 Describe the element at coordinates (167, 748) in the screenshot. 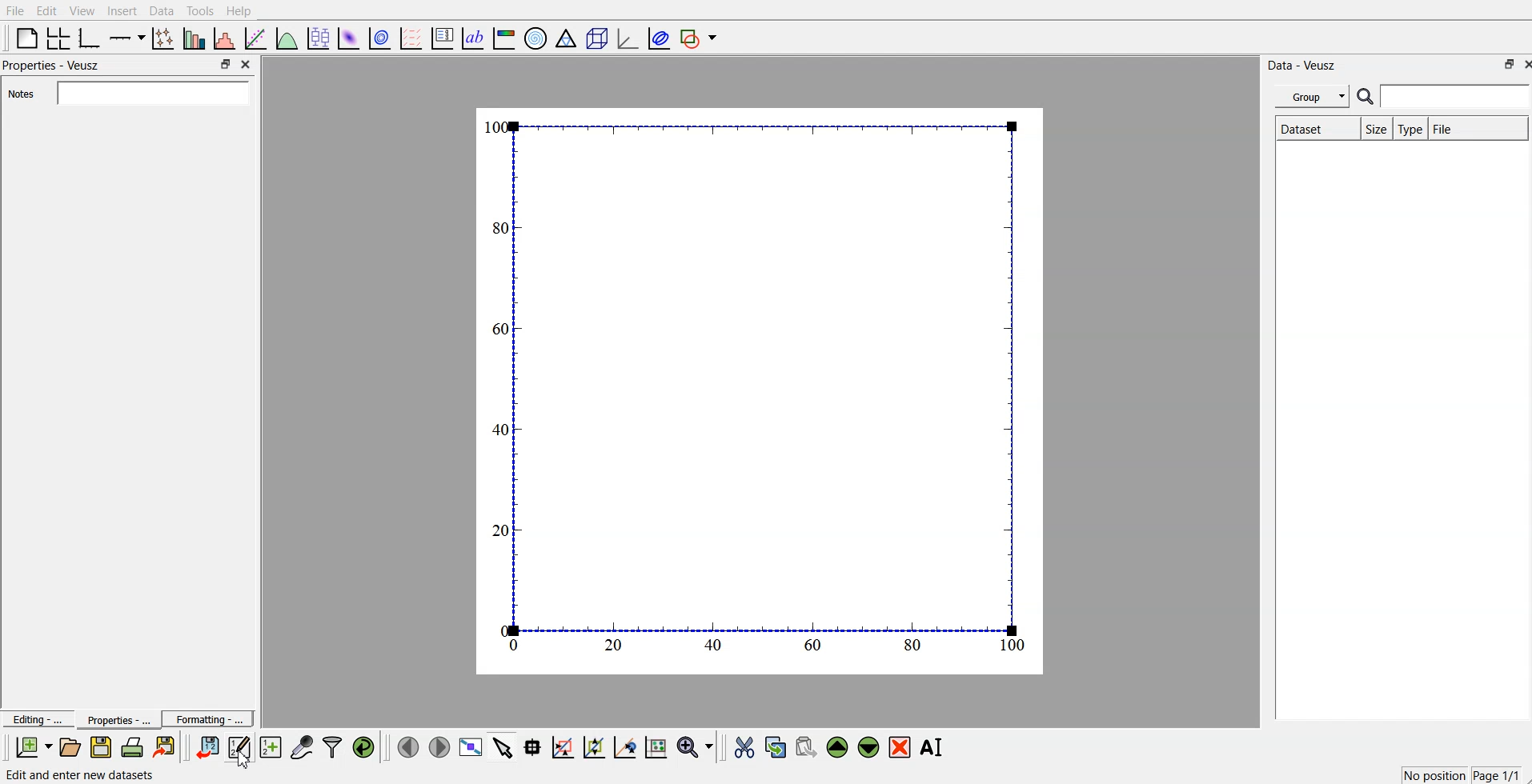

I see `Export to graphics format` at that location.